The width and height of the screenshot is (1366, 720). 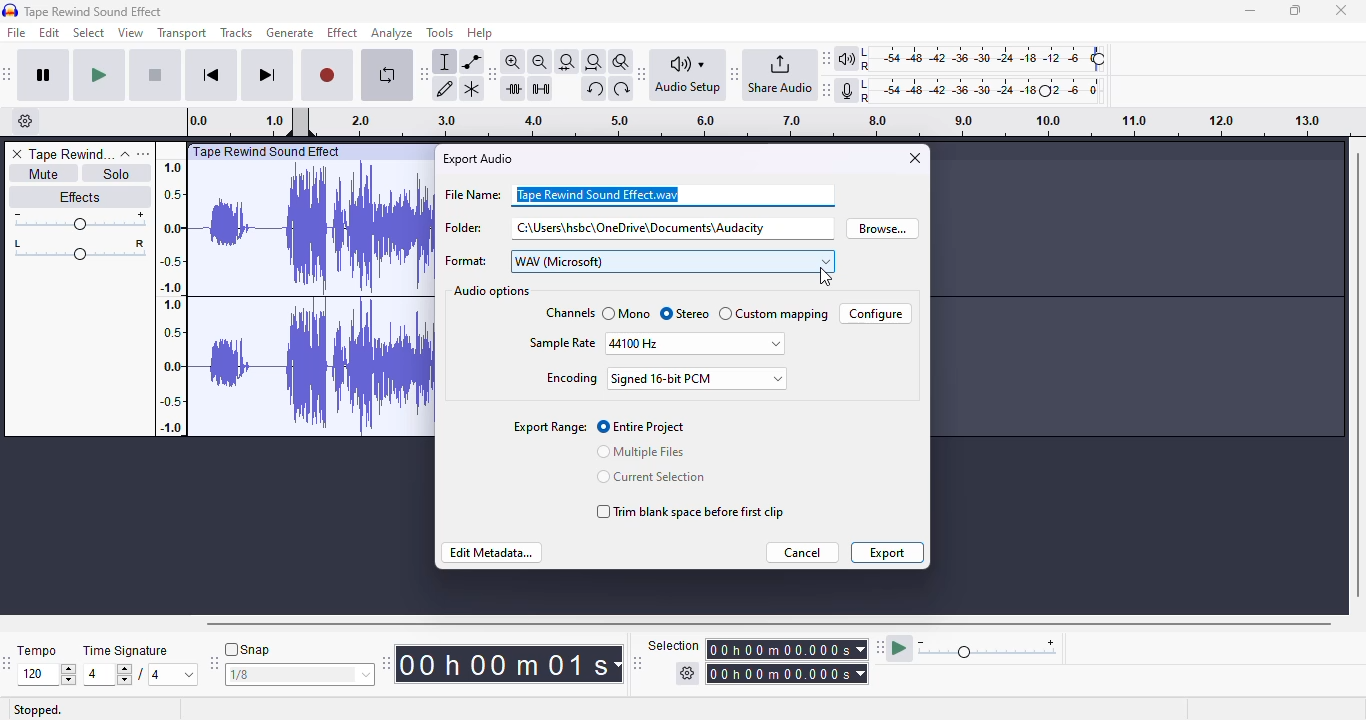 I want to click on tempo, so click(x=46, y=666).